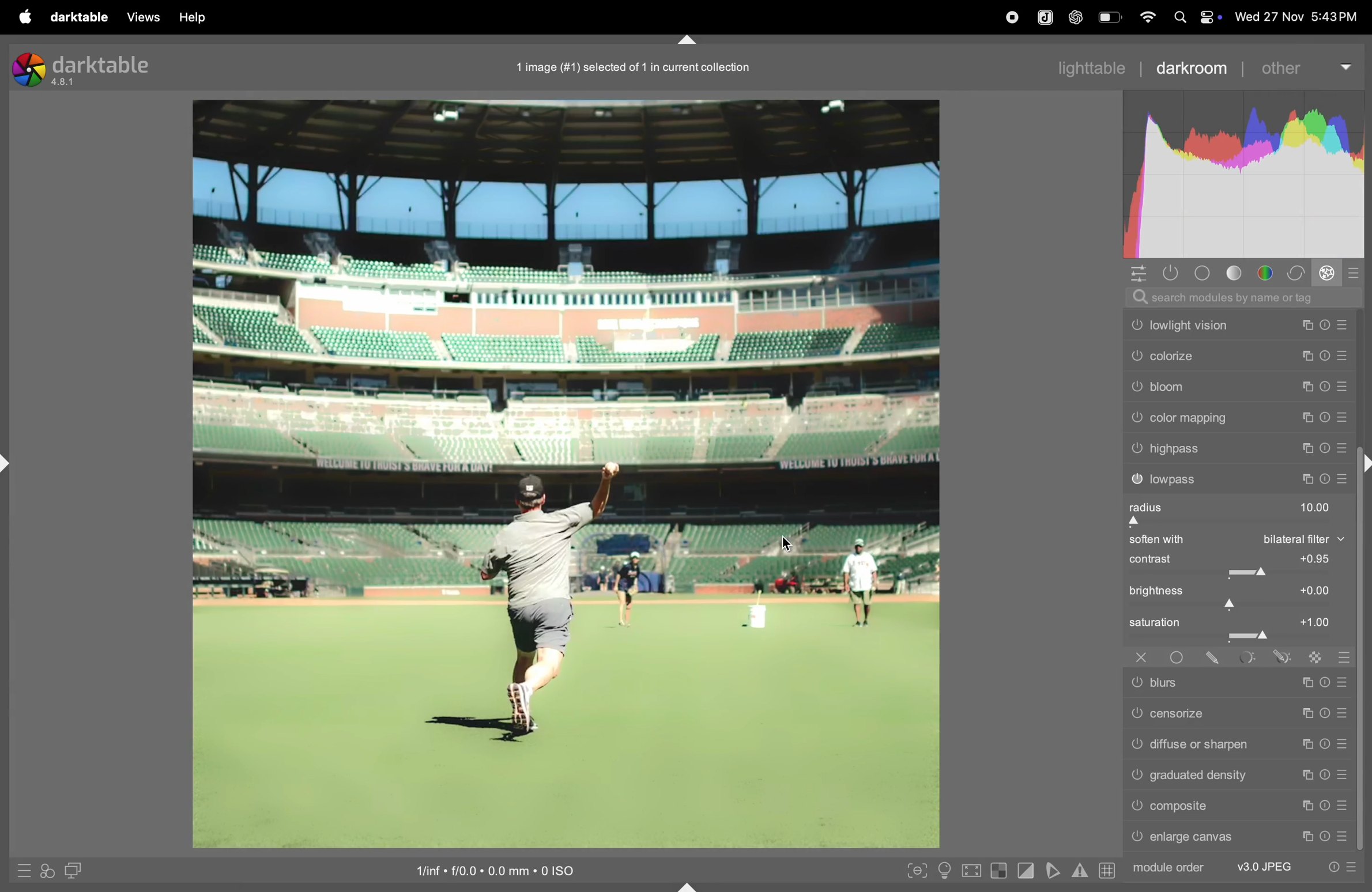 This screenshot has width=1372, height=892. I want to click on toggle indication over exposure, so click(1001, 872).